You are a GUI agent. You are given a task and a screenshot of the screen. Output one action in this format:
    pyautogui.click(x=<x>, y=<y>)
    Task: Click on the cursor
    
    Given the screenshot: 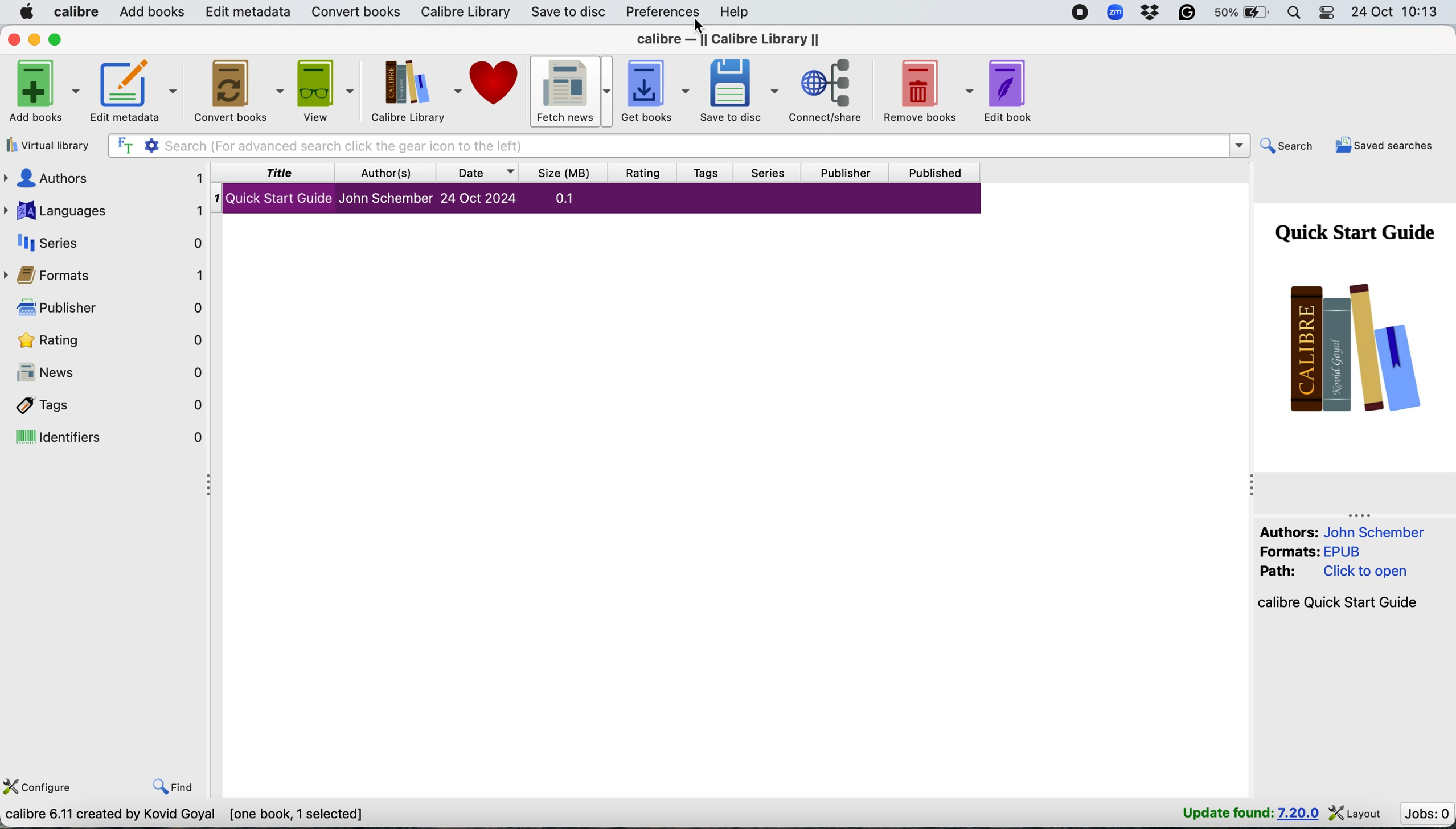 What is the action you would take?
    pyautogui.click(x=692, y=27)
    